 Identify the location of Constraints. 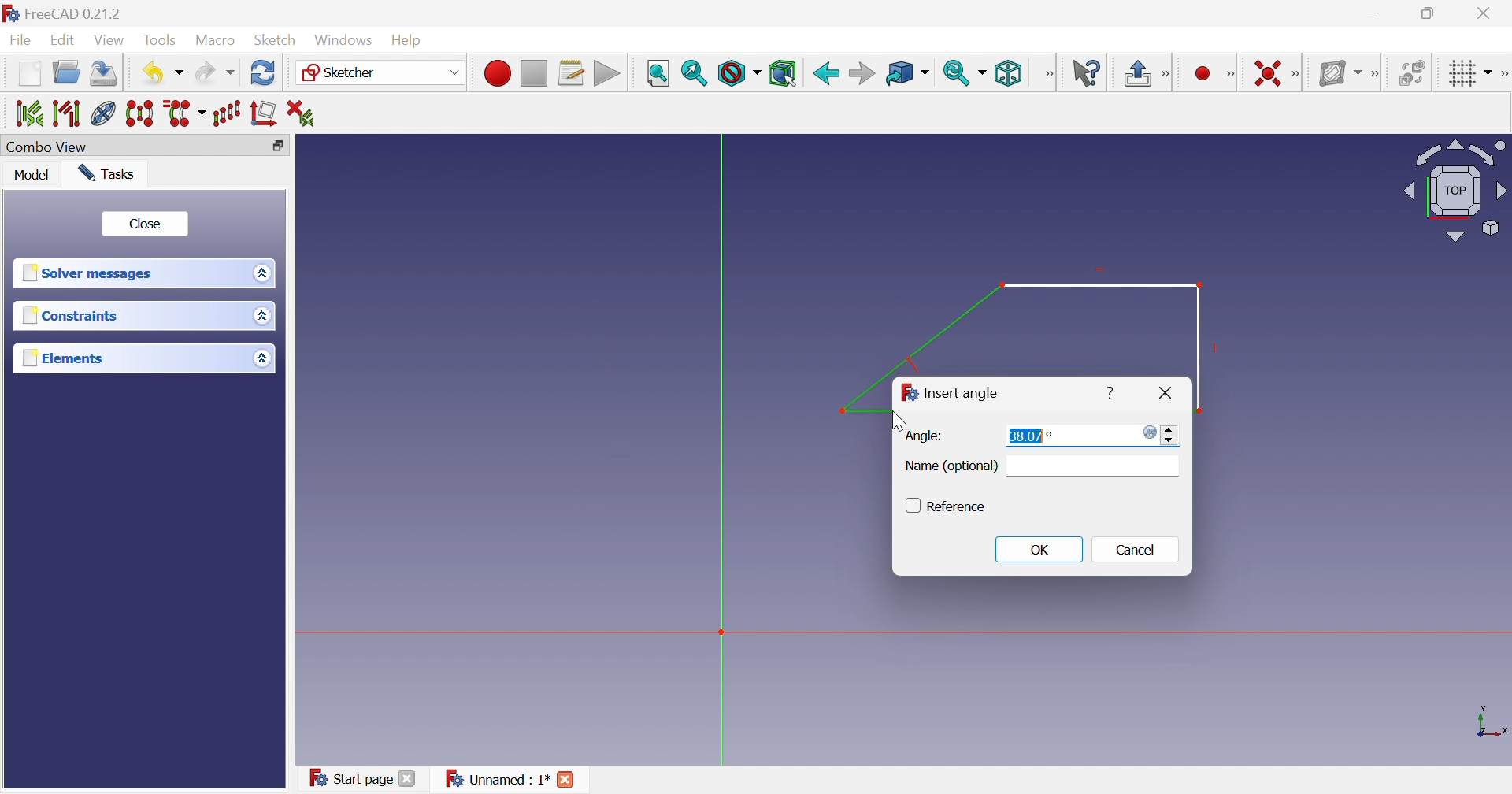
(70, 316).